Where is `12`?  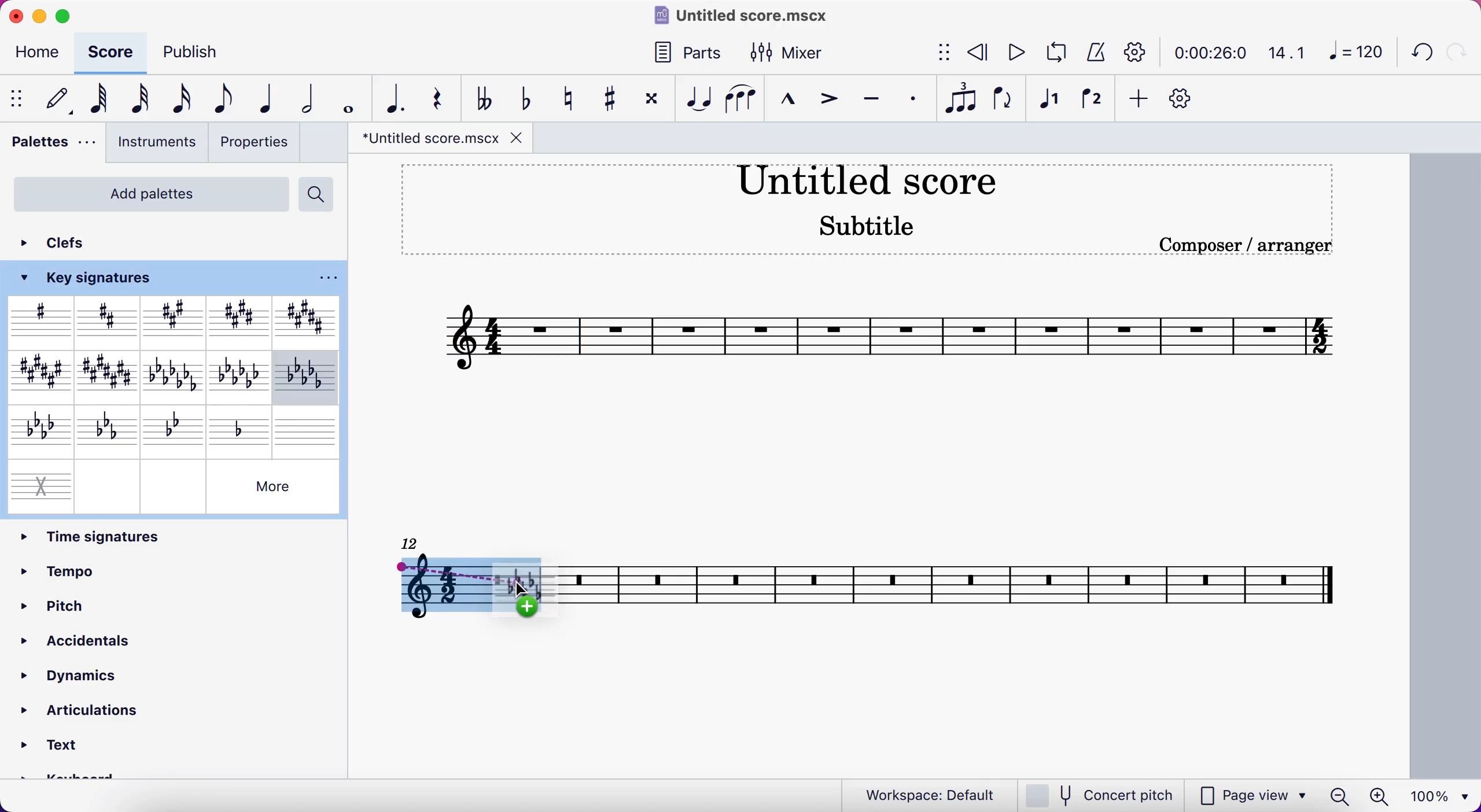 12 is located at coordinates (415, 542).